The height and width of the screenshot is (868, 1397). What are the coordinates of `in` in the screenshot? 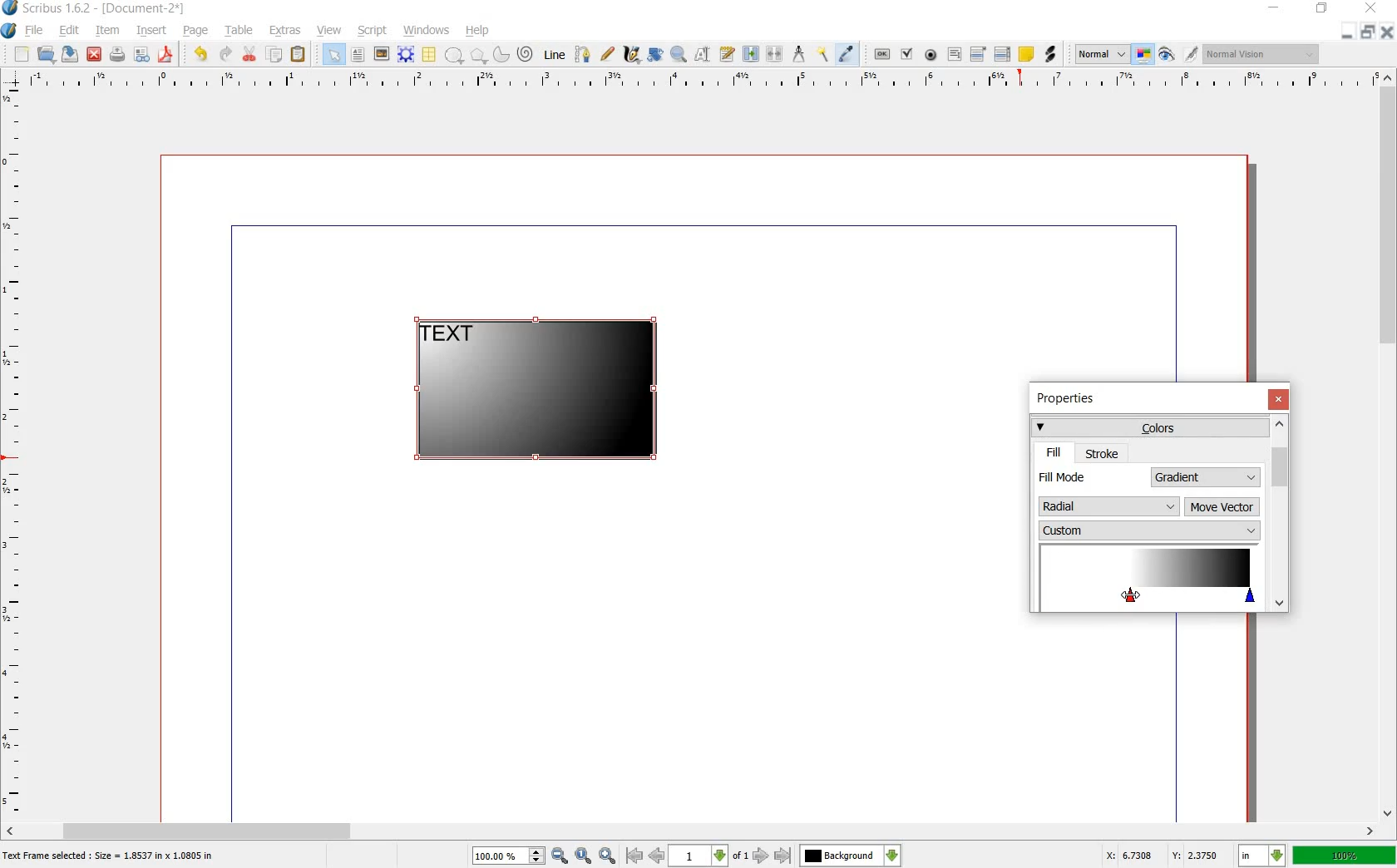 It's located at (1263, 856).